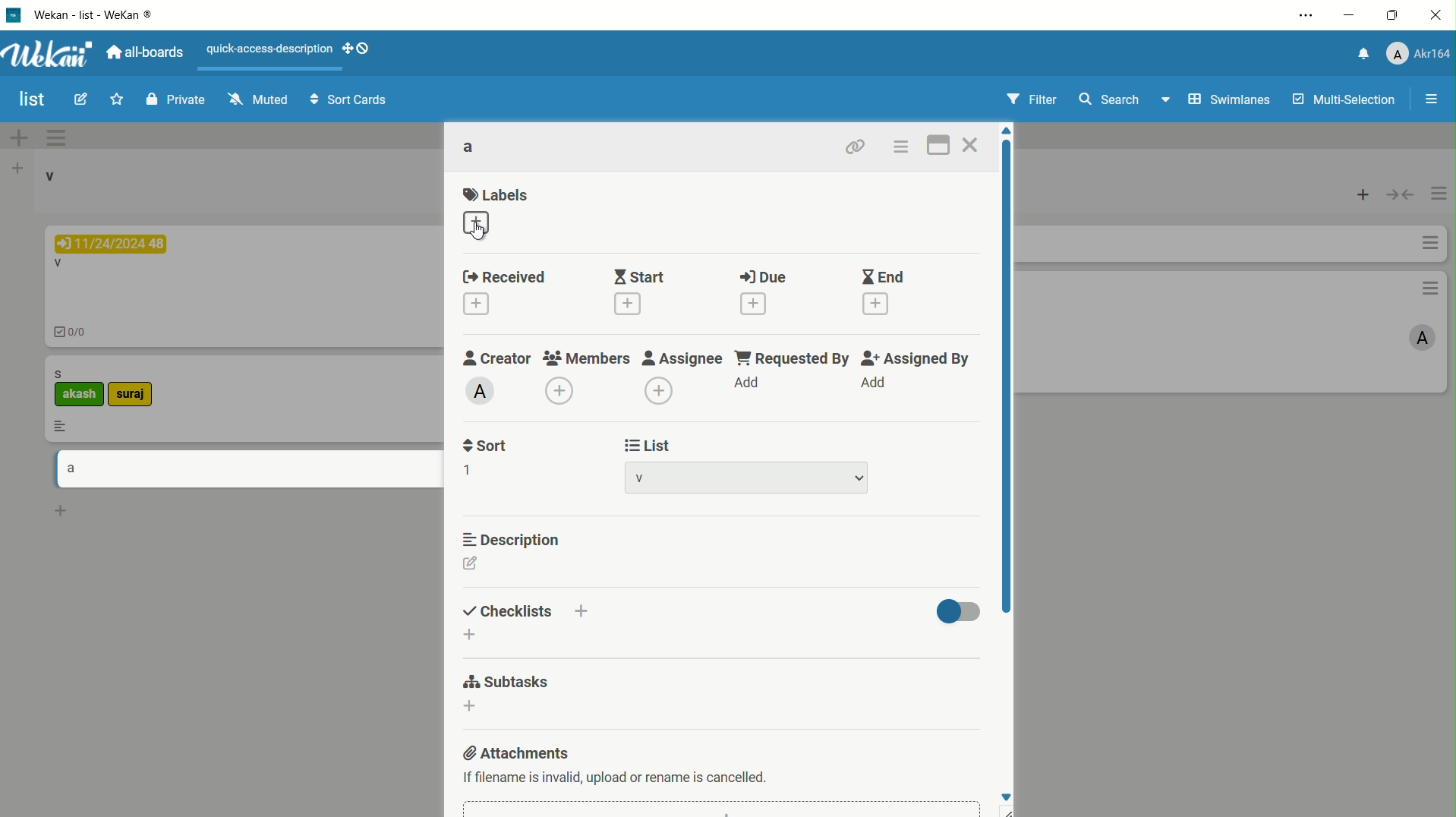 The image size is (1456, 817). Describe the element at coordinates (1419, 54) in the screenshot. I see `profile` at that location.